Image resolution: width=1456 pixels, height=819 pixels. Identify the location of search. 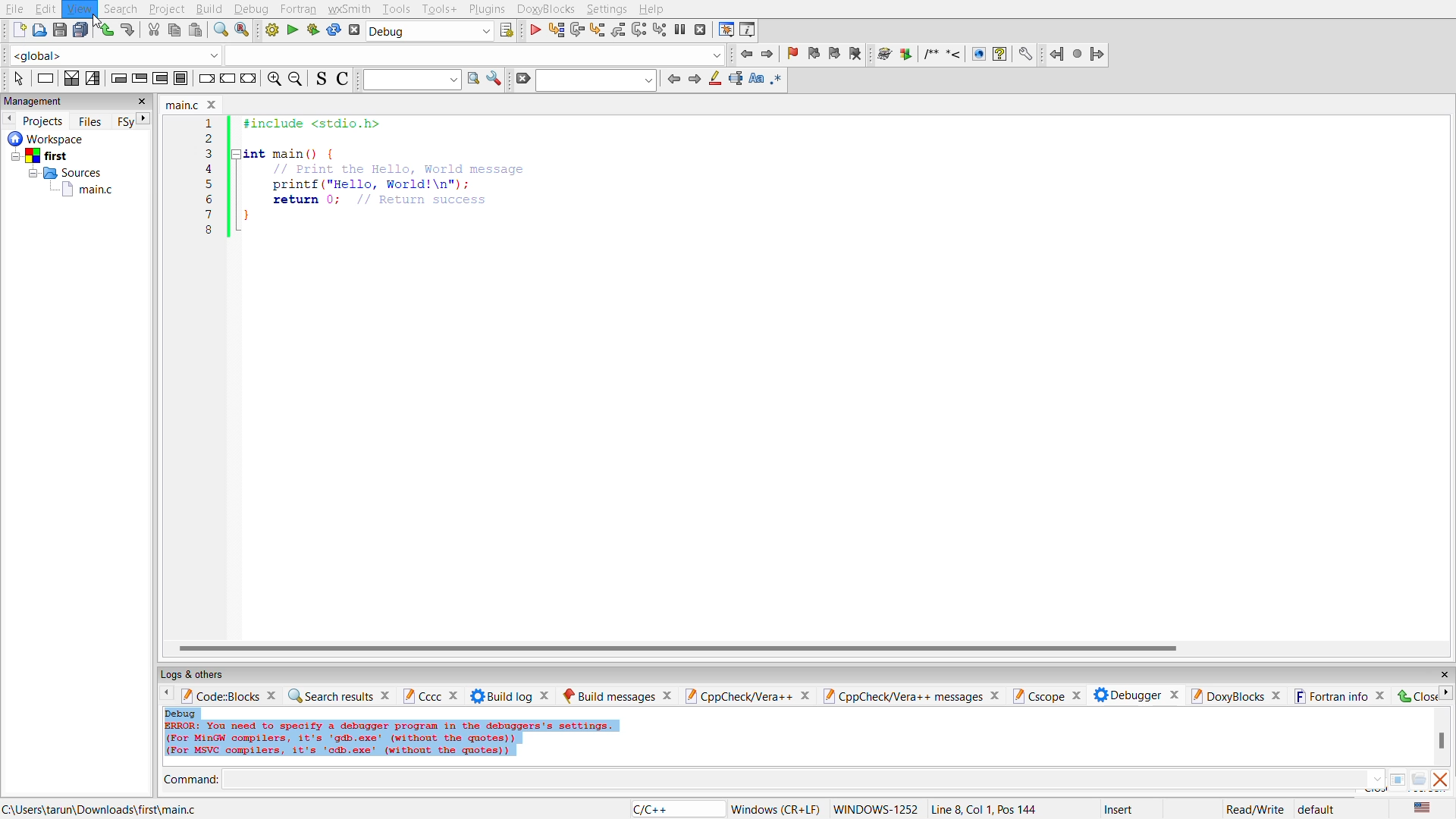
(121, 8).